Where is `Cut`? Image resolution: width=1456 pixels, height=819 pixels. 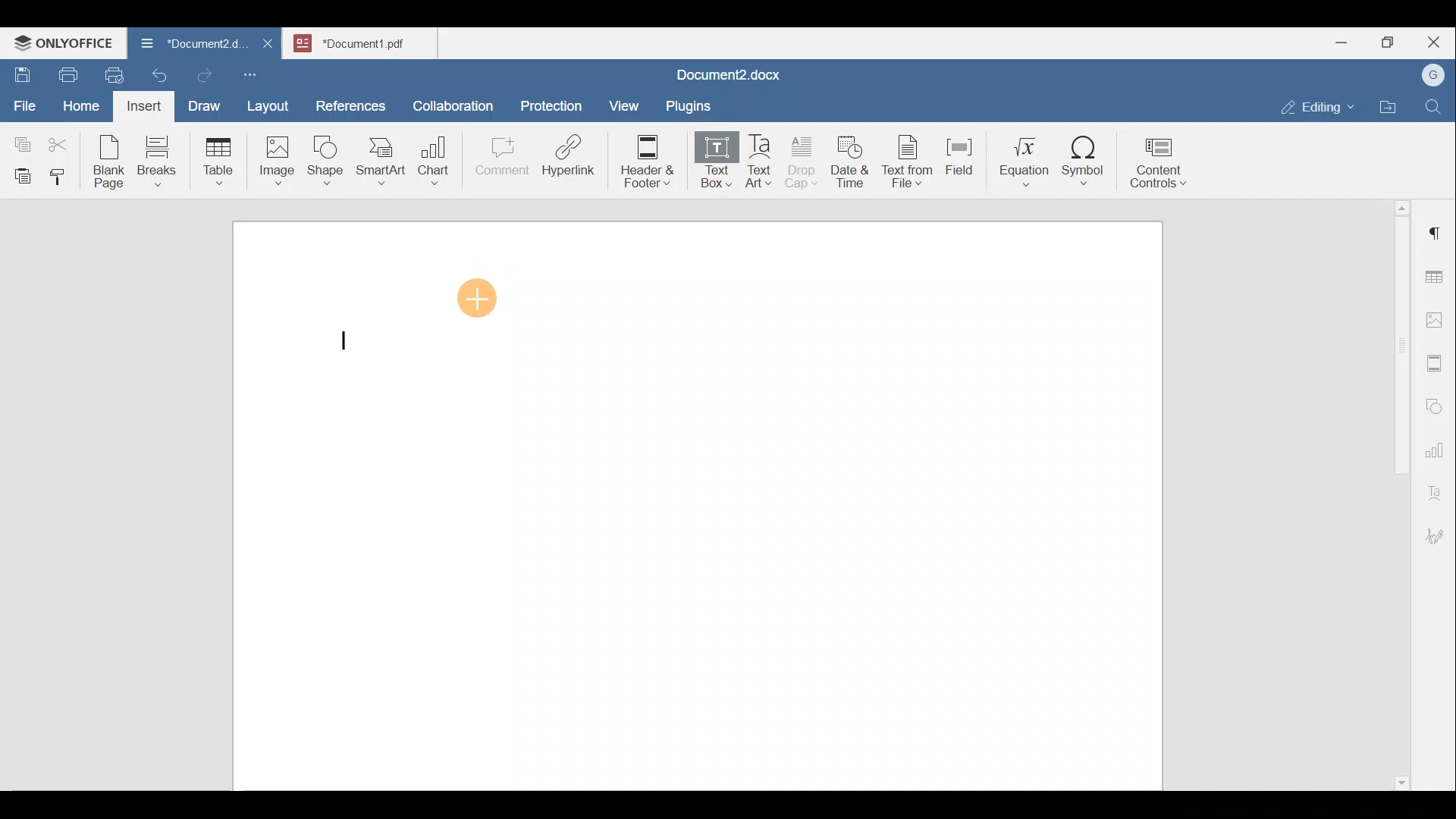 Cut is located at coordinates (64, 141).